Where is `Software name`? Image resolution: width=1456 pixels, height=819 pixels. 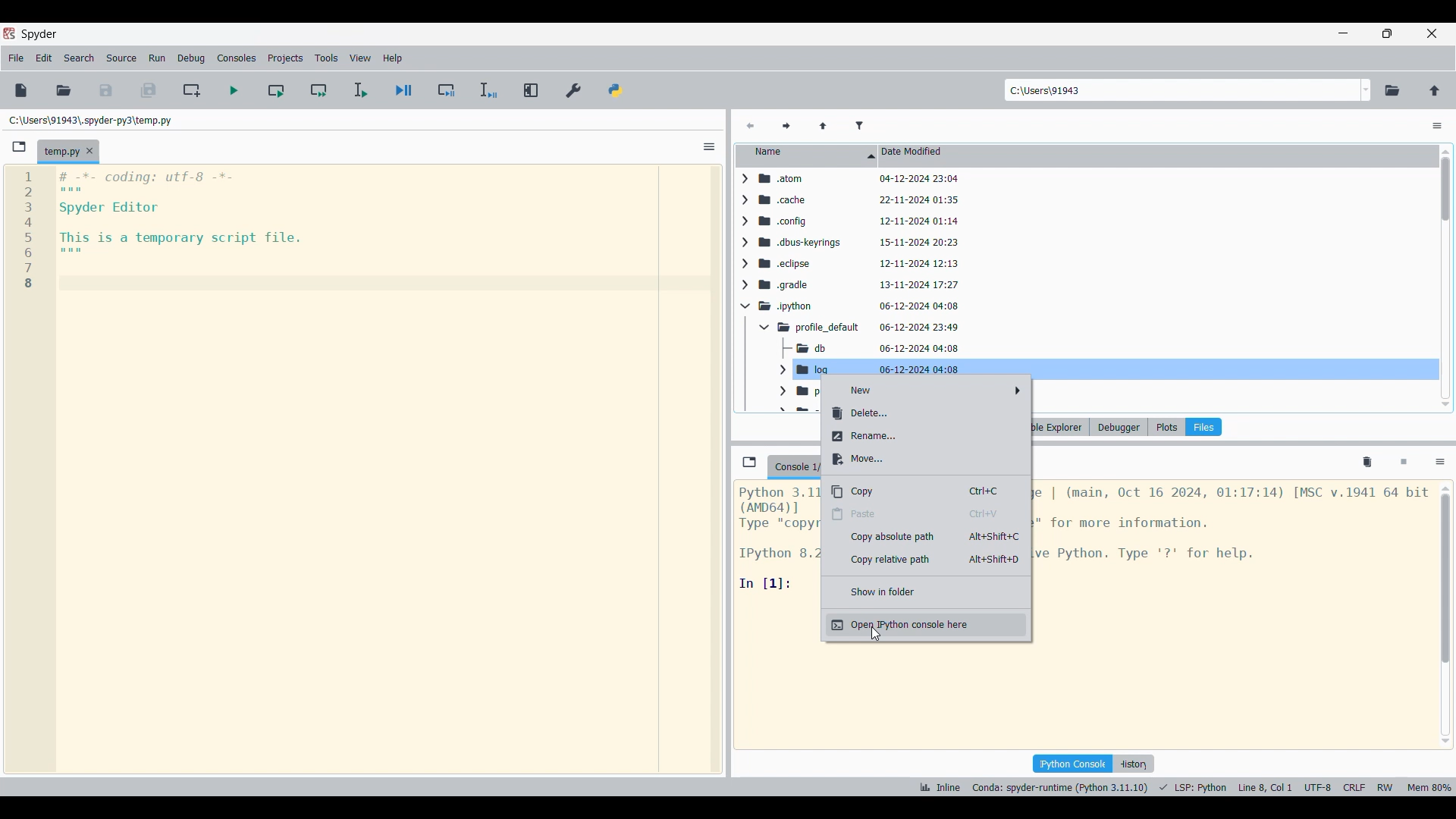 Software name is located at coordinates (40, 35).